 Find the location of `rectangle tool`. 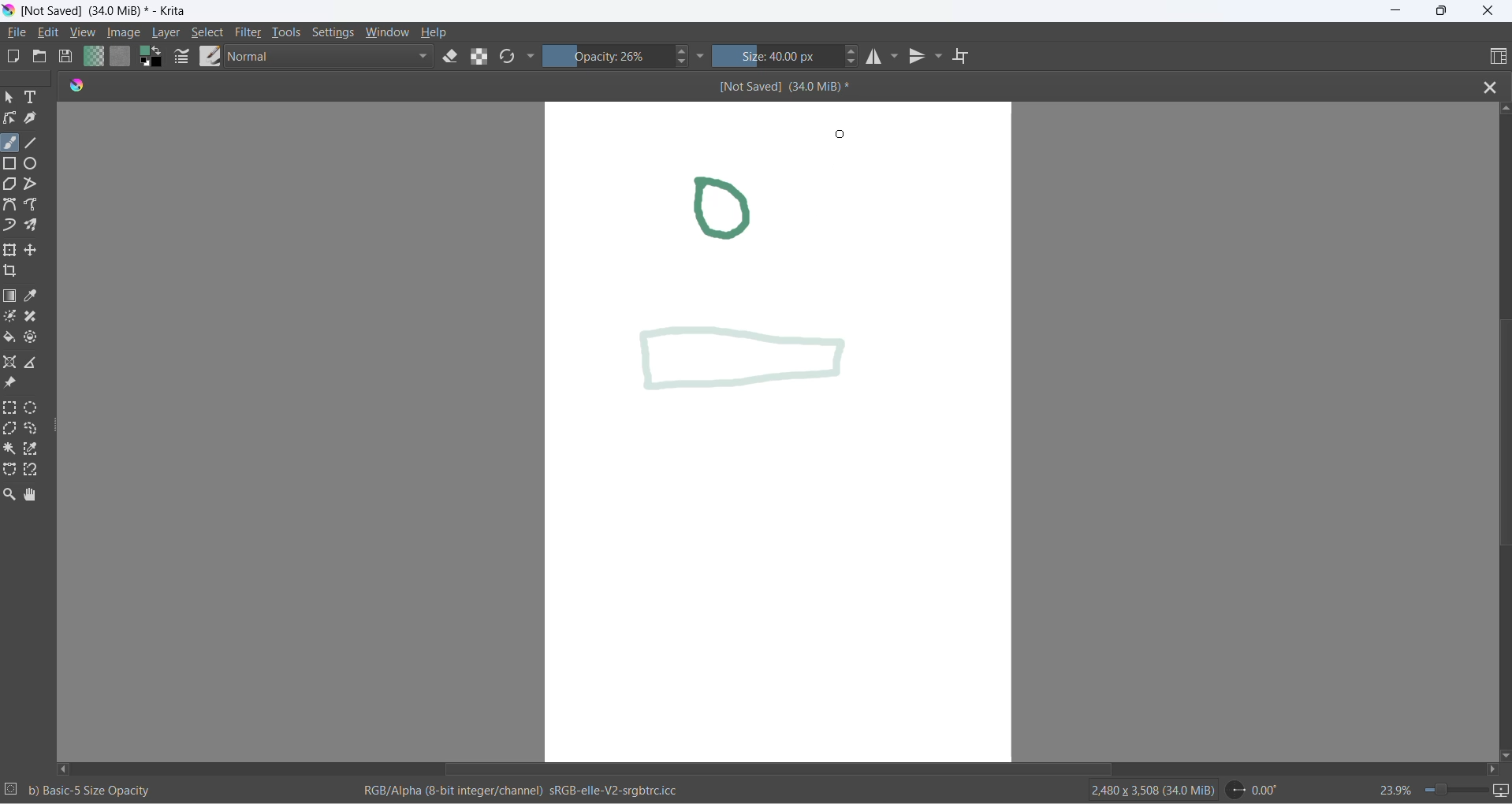

rectangle tool is located at coordinates (13, 164).